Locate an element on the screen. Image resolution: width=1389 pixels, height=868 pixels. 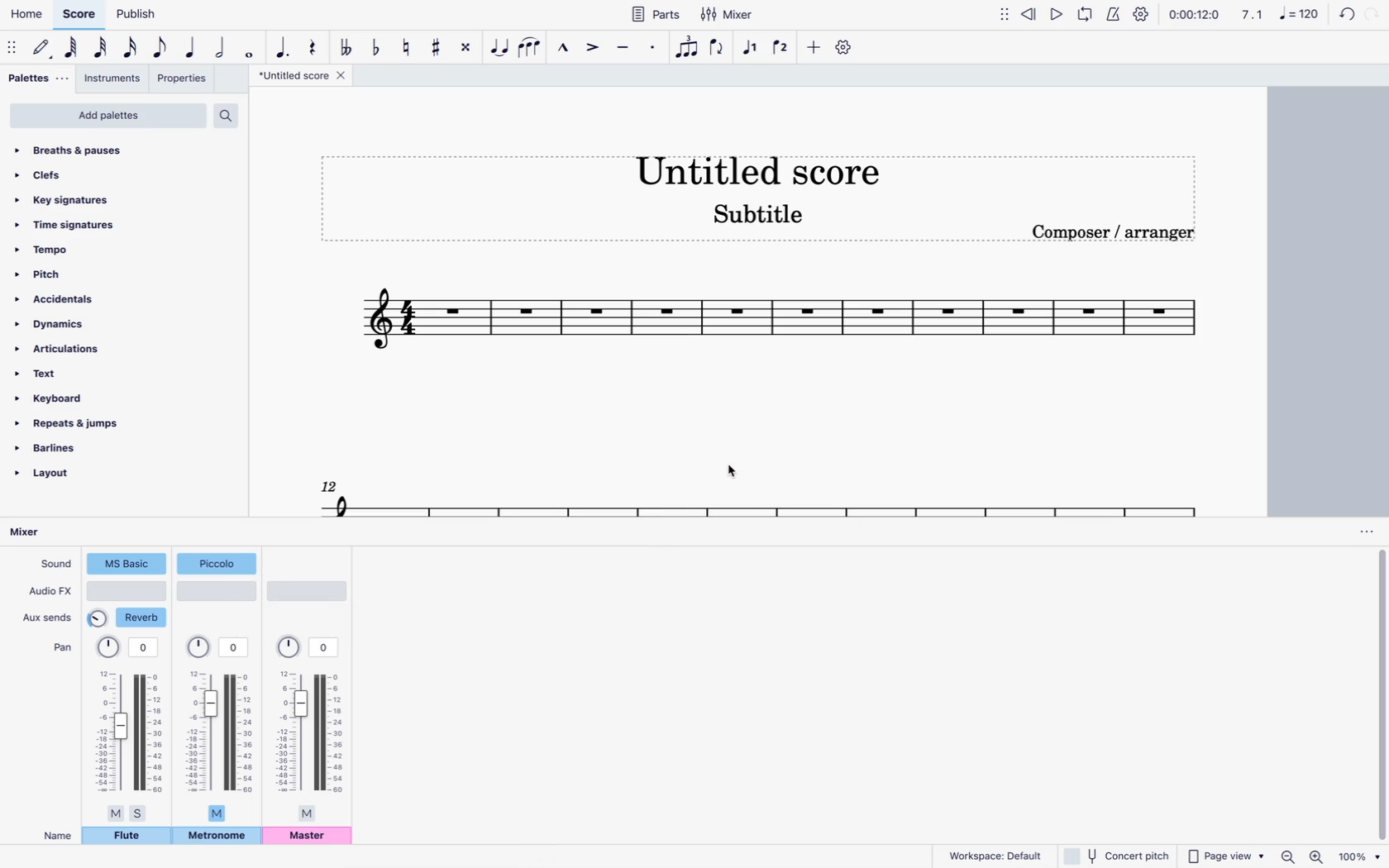
32nd note is located at coordinates (103, 49).